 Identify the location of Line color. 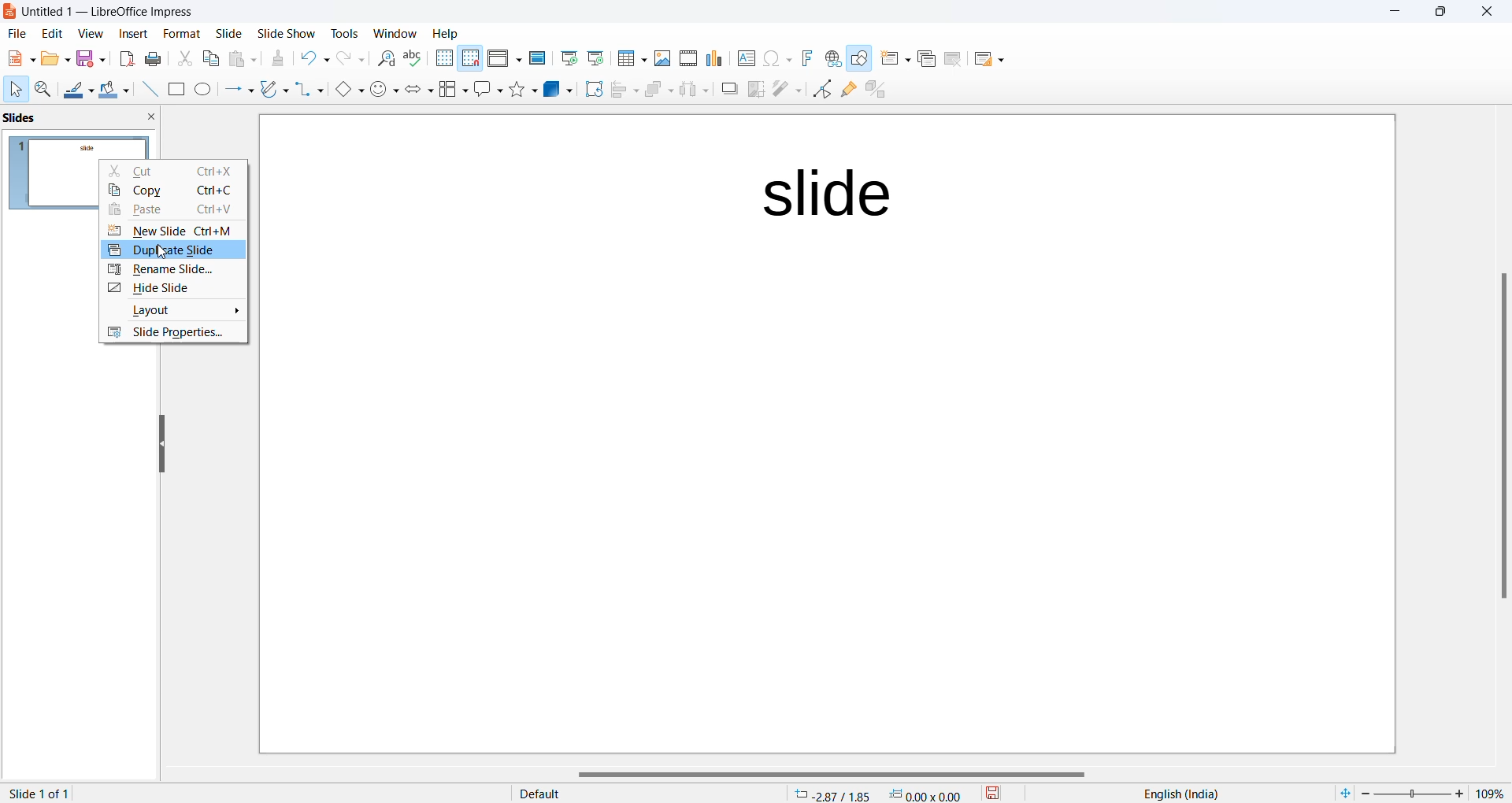
(77, 88).